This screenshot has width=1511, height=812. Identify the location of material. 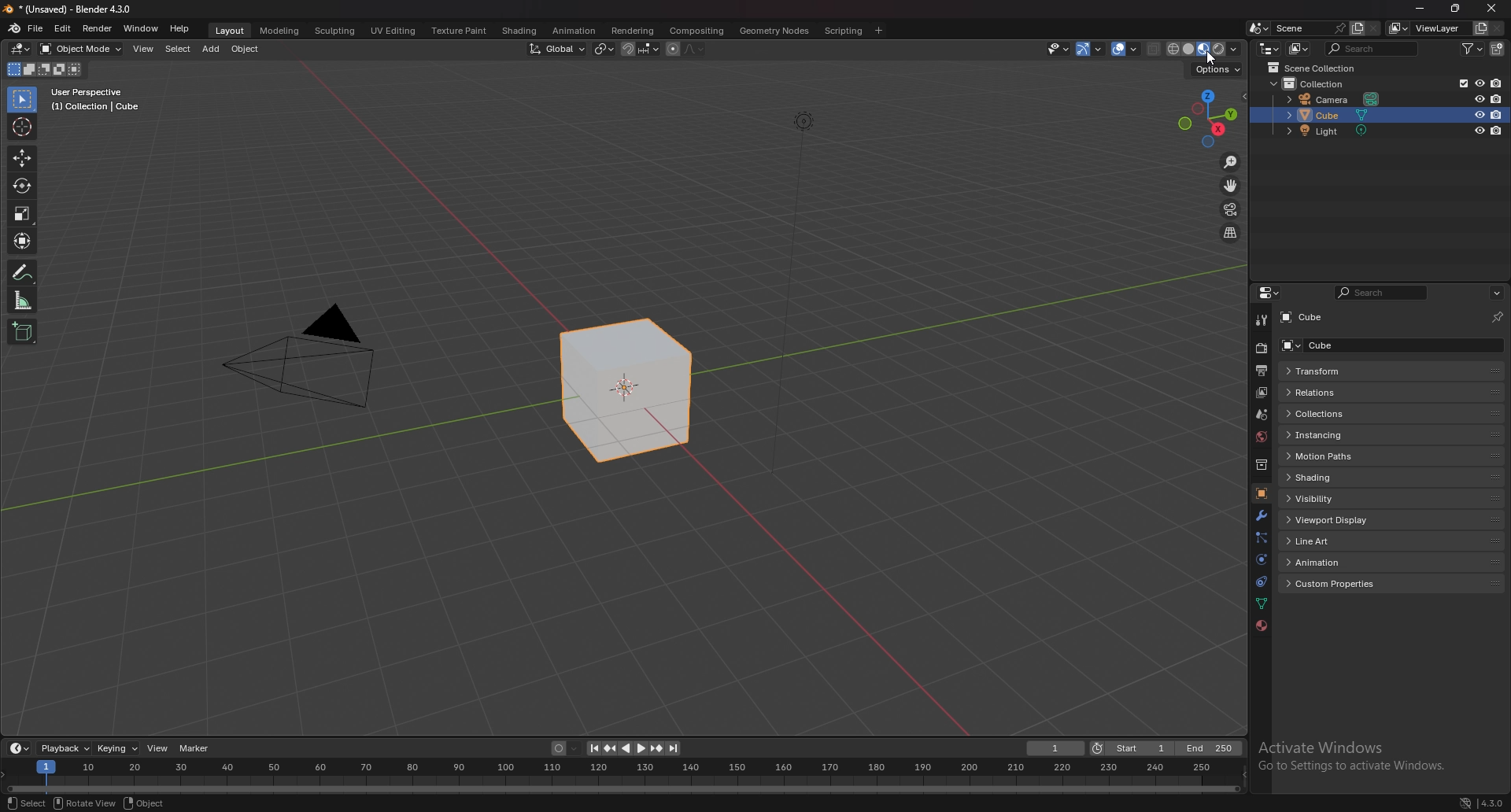
(1261, 626).